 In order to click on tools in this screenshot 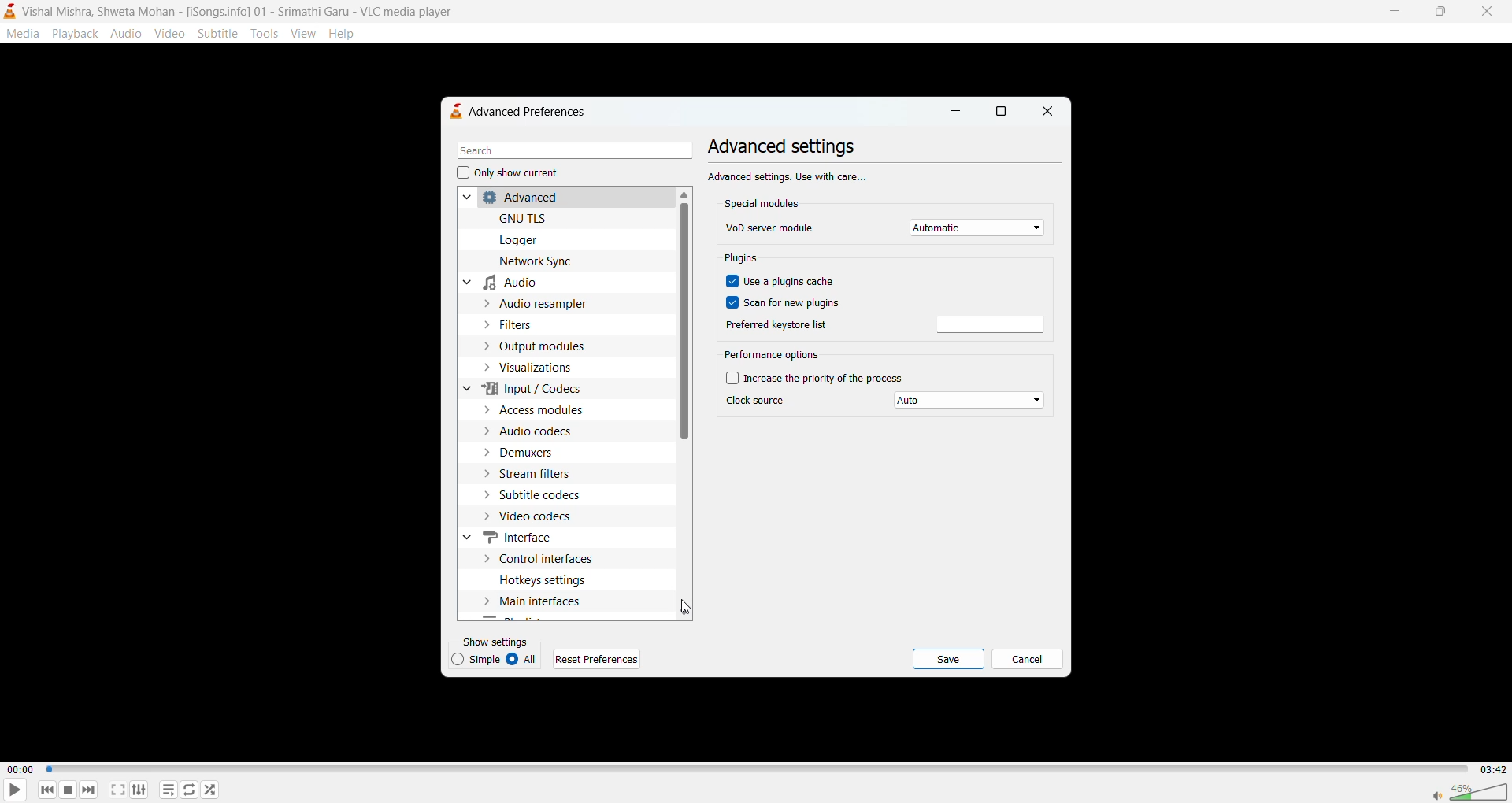, I will do `click(263, 34)`.